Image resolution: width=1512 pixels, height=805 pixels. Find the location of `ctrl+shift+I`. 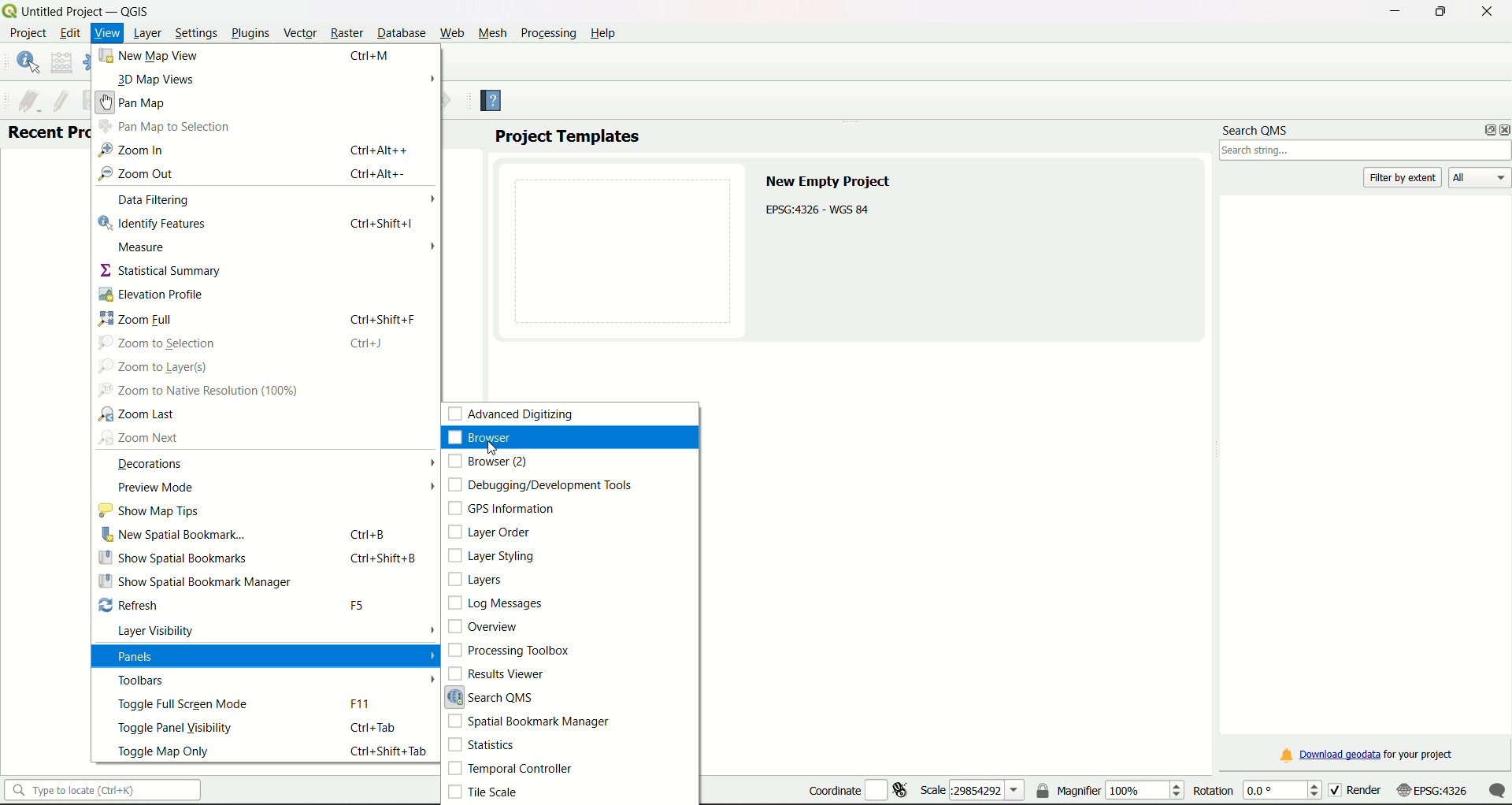

ctrl+shift+I is located at coordinates (382, 223).